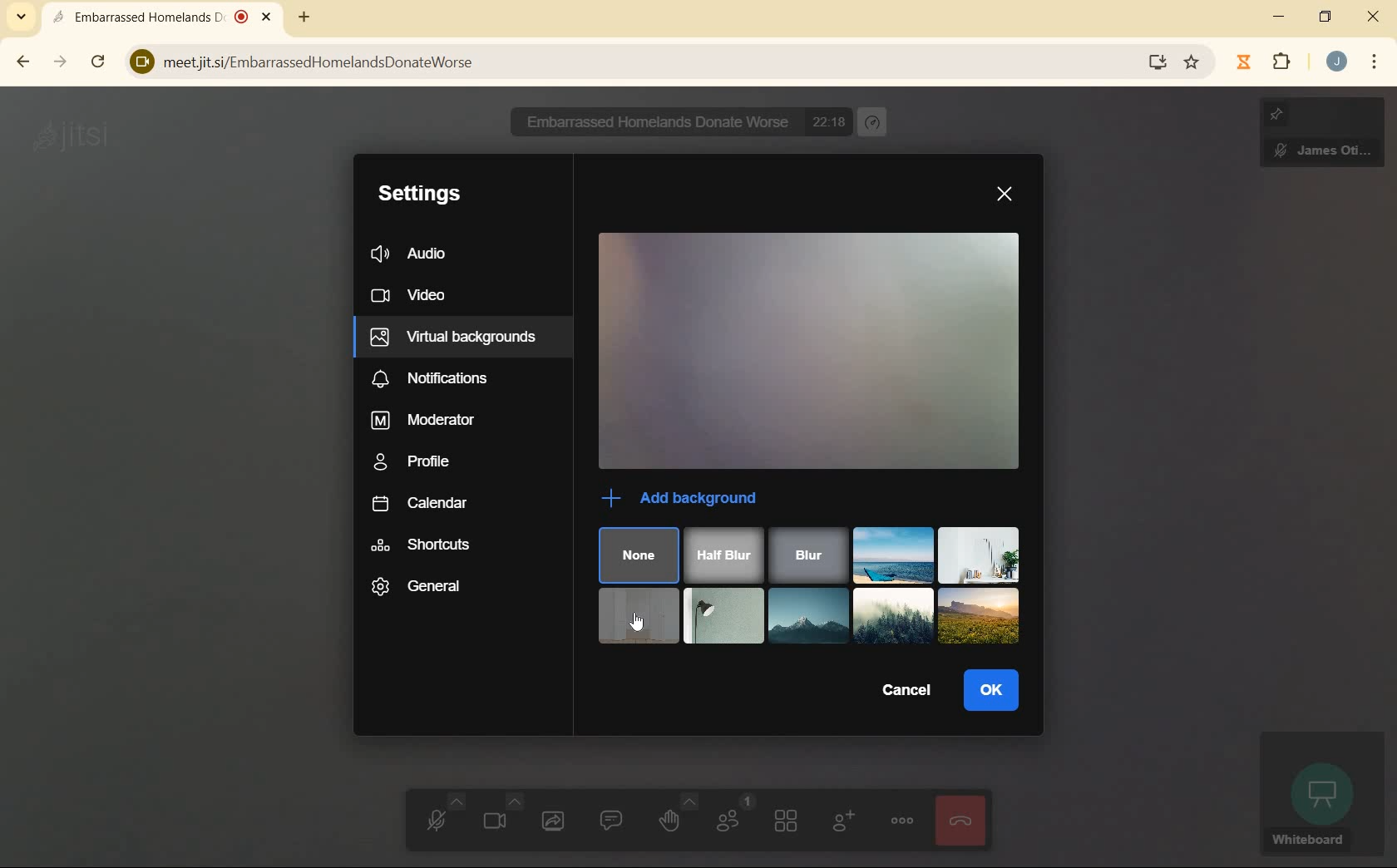 This screenshot has height=868, width=1397. I want to click on jitsi, so click(72, 145).